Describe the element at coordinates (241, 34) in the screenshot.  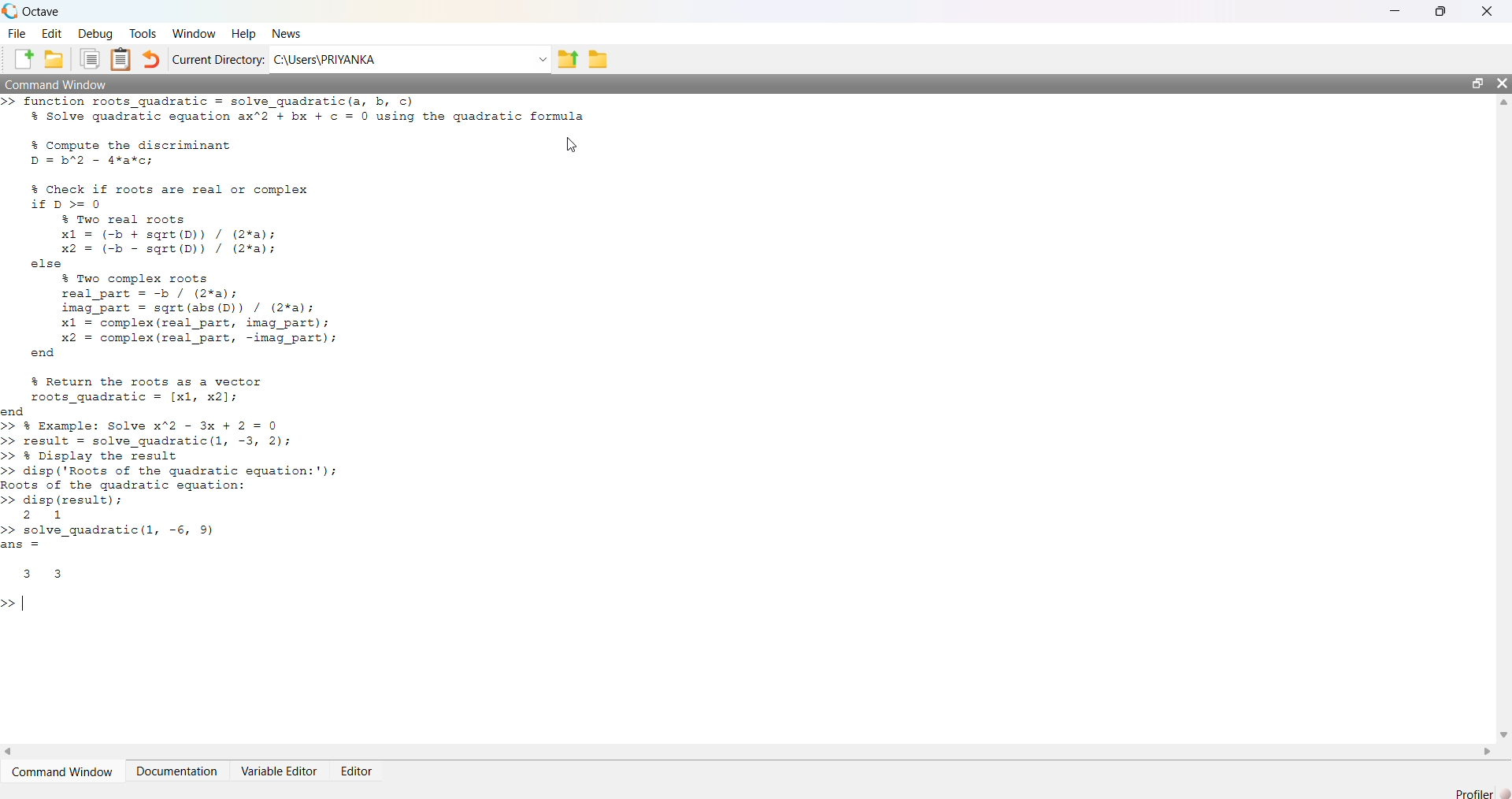
I see `Help` at that location.